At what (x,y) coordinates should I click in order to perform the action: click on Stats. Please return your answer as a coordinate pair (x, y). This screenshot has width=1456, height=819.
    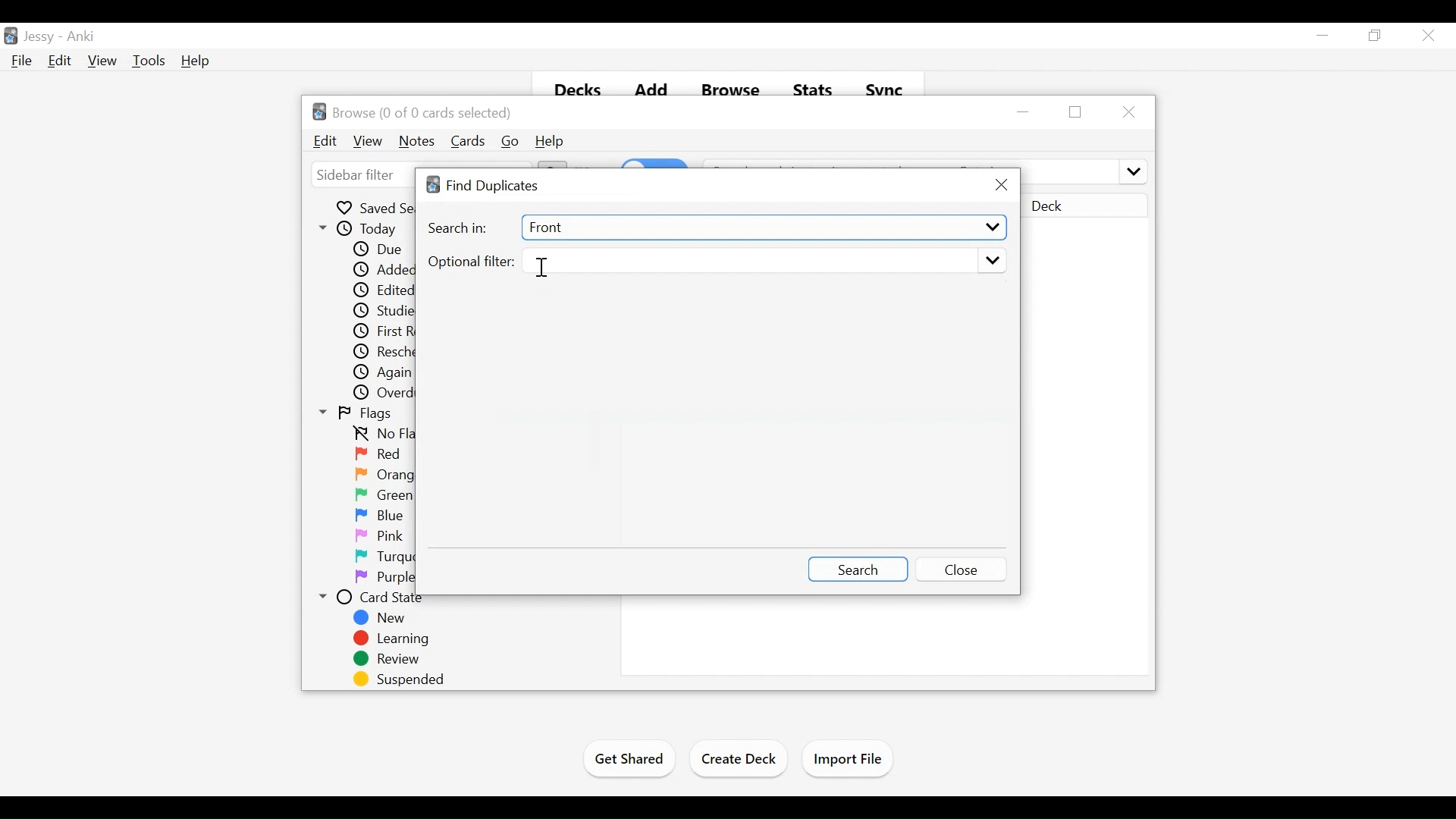
    Looking at the image, I should click on (811, 86).